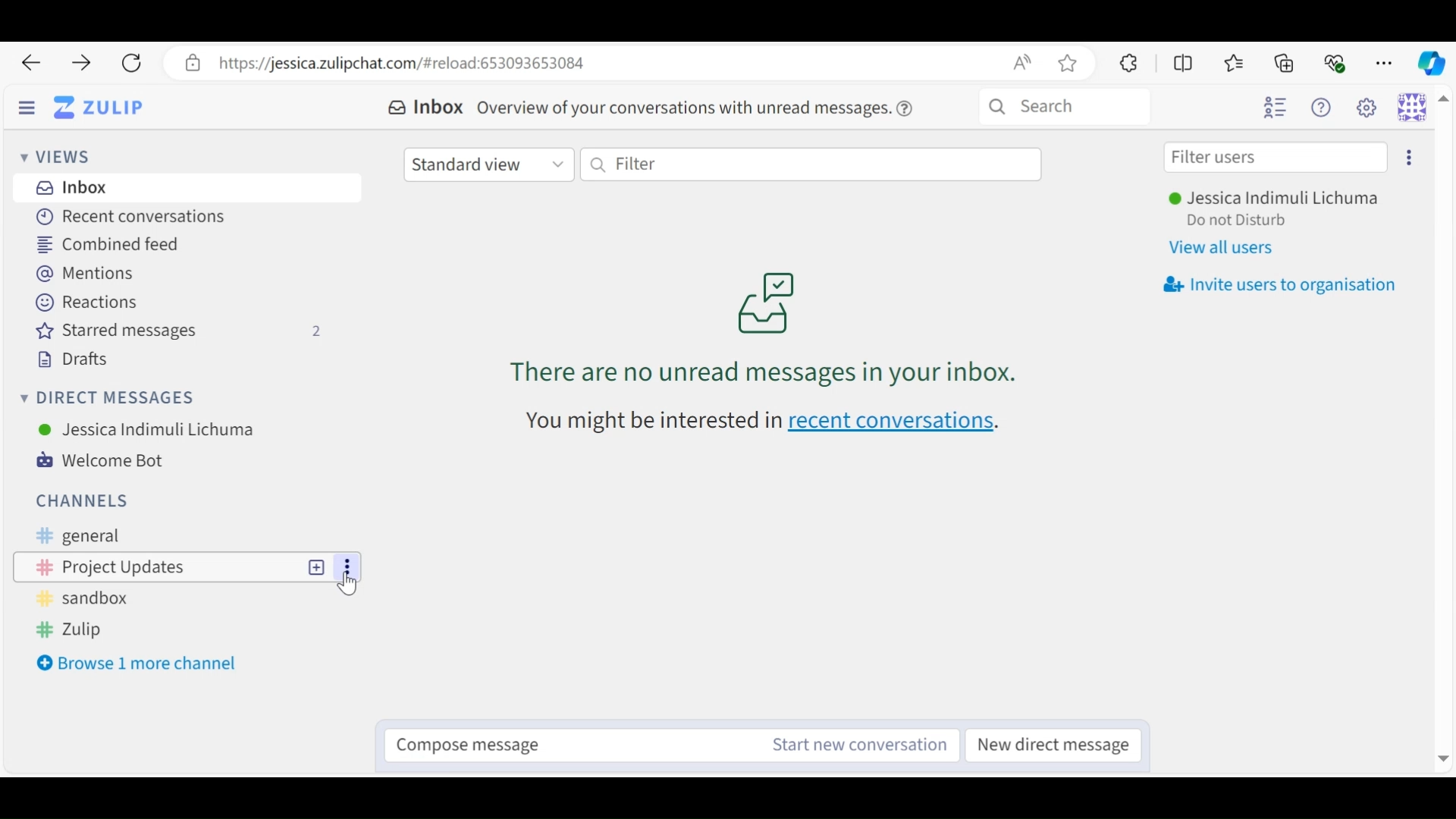  I want to click on Down, so click(1439, 754).